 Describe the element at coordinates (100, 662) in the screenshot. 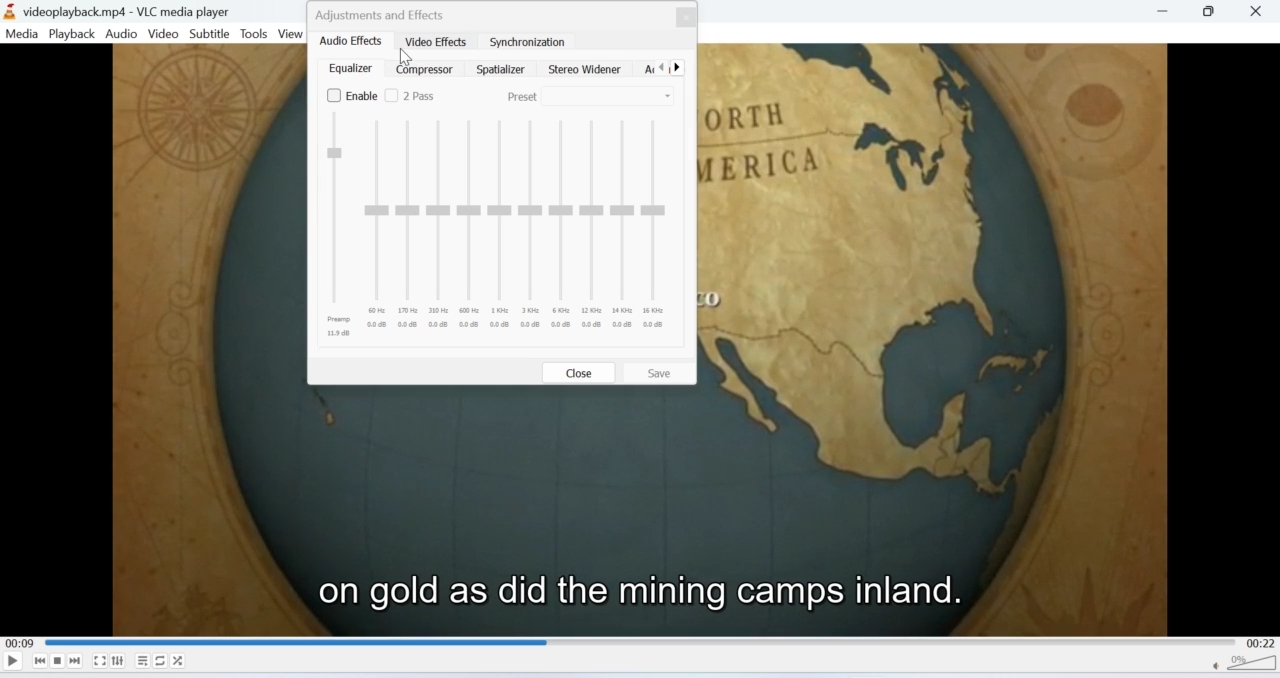

I see `Fullscreen` at that location.